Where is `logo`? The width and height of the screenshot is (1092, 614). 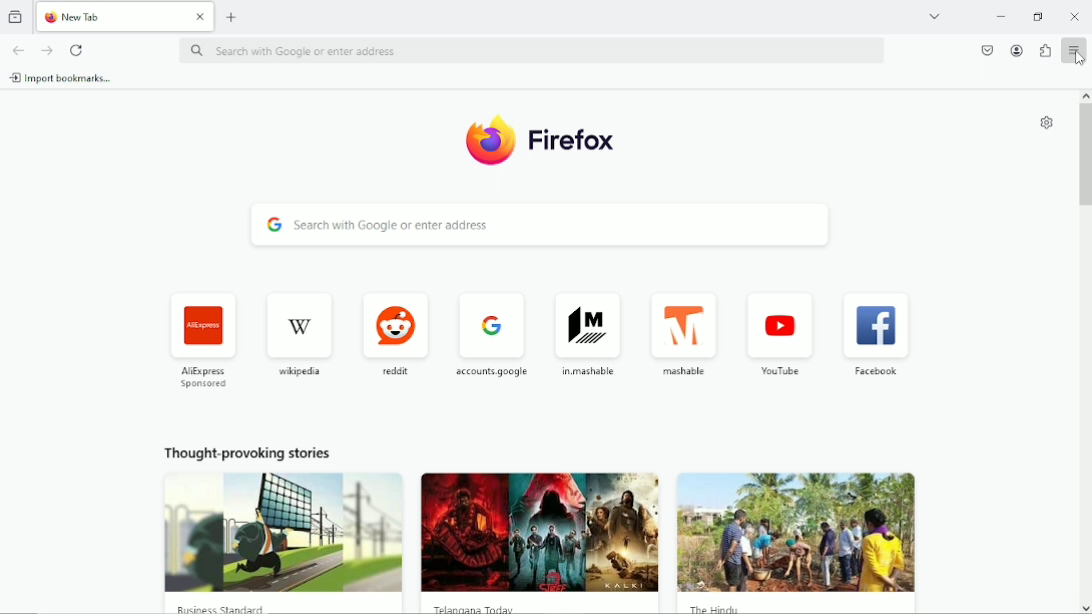 logo is located at coordinates (537, 140).